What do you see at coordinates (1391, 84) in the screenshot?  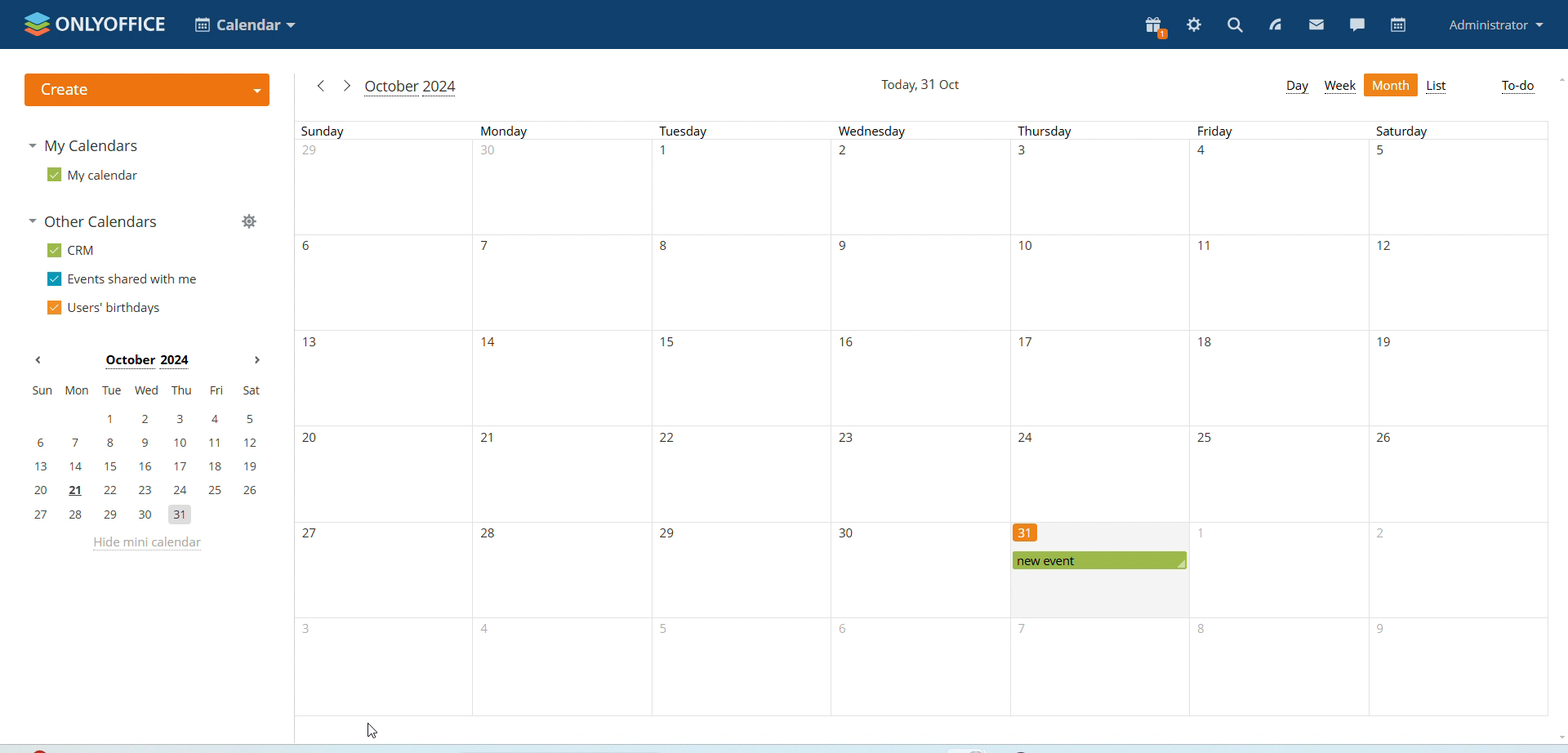 I see `month view` at bounding box center [1391, 84].